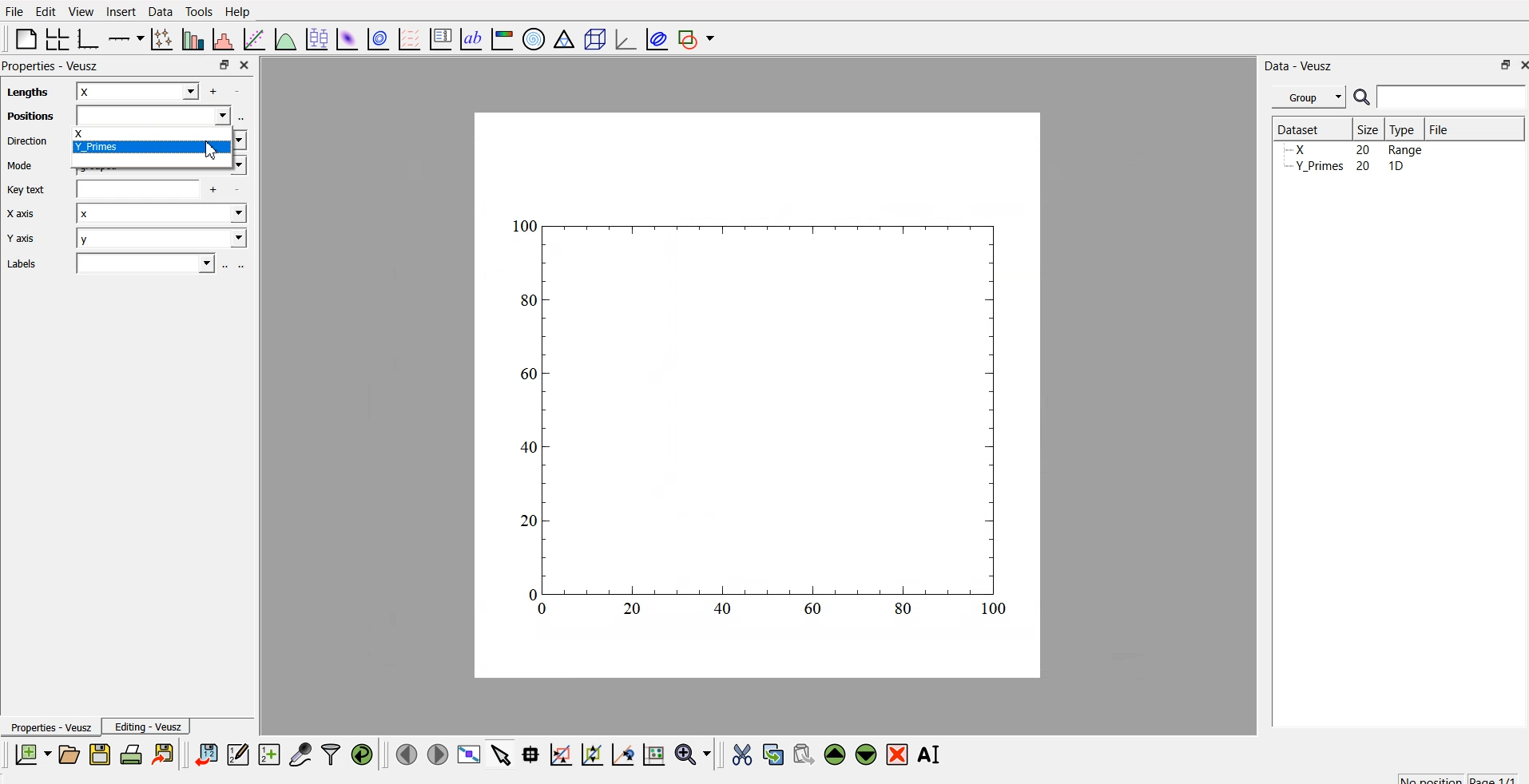 The width and height of the screenshot is (1529, 784). Describe the element at coordinates (160, 10) in the screenshot. I see `Data` at that location.